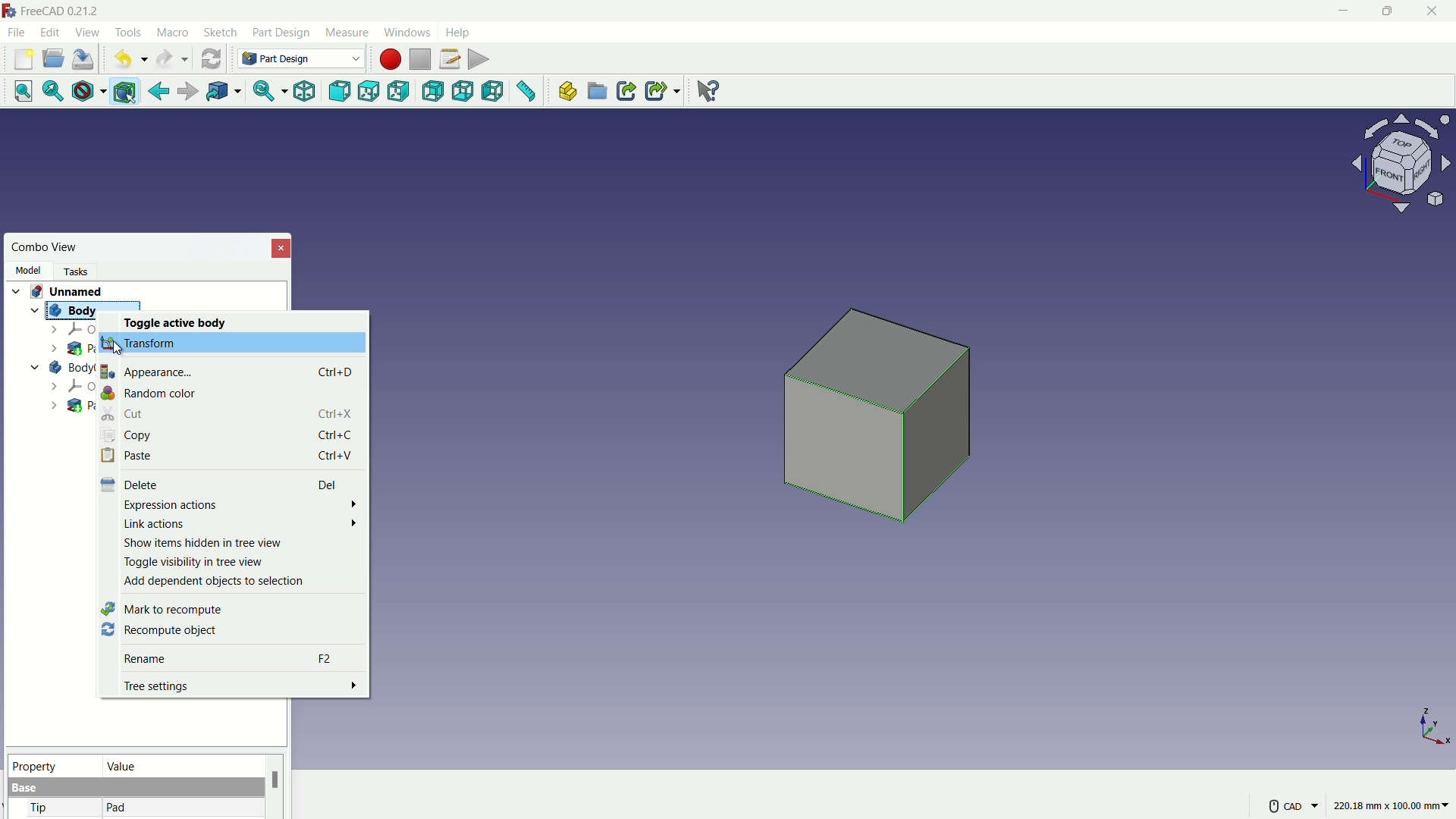 The width and height of the screenshot is (1456, 819). What do you see at coordinates (231, 435) in the screenshot?
I see `Copy Ctrl+C` at bounding box center [231, 435].